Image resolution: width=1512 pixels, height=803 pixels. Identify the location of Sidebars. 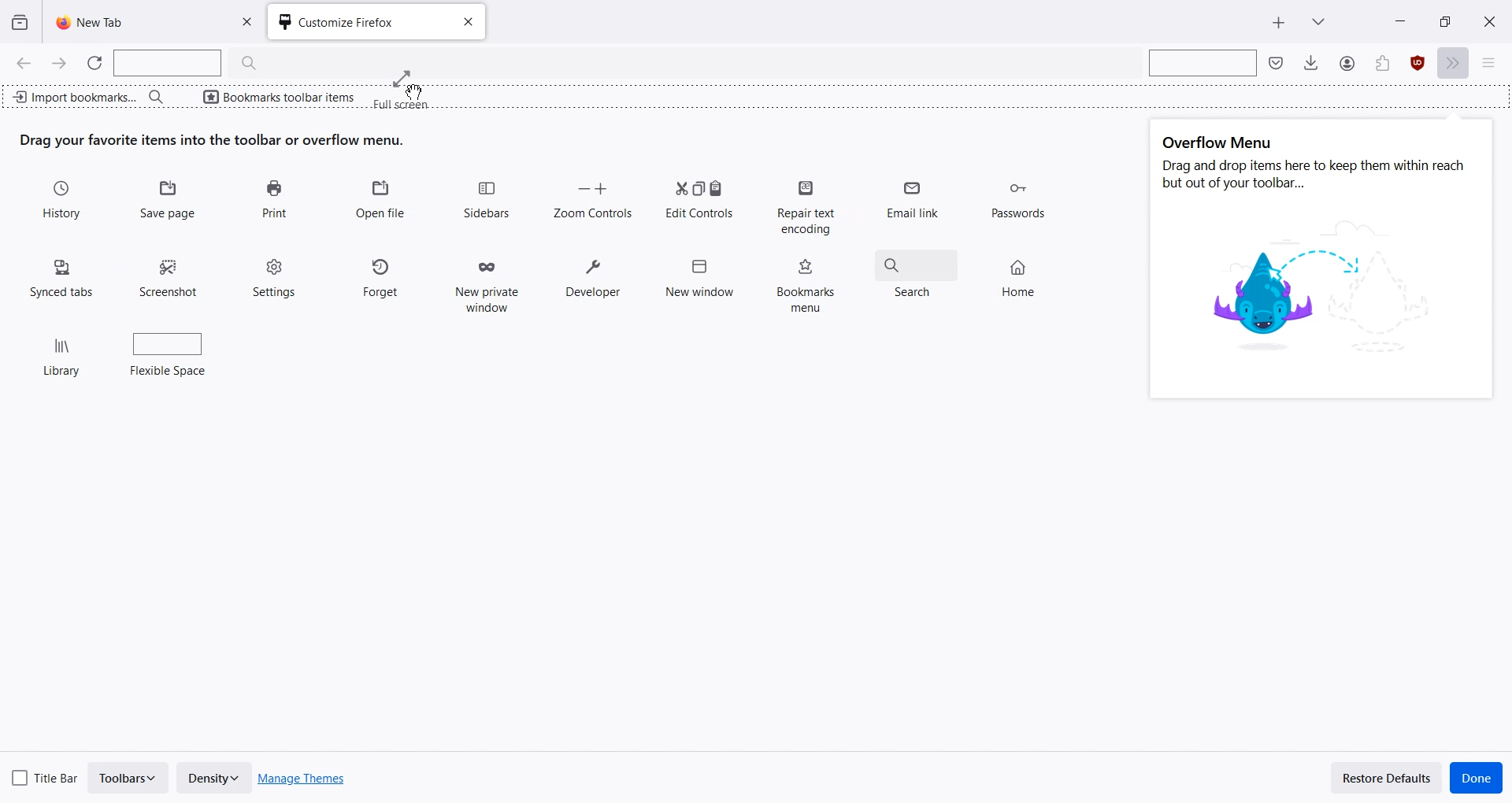
(488, 200).